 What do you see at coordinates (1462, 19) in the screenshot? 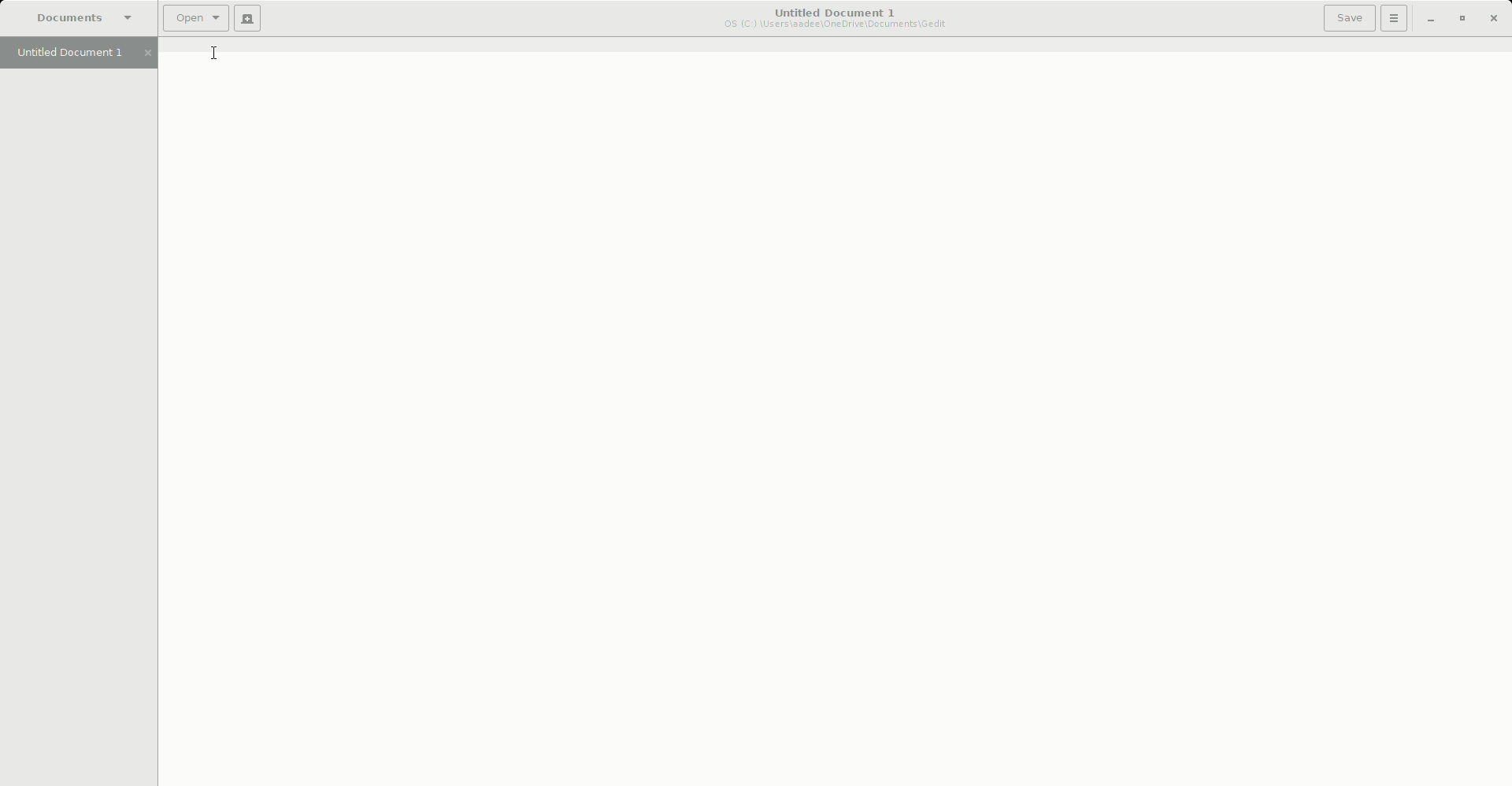
I see `Restore` at bounding box center [1462, 19].